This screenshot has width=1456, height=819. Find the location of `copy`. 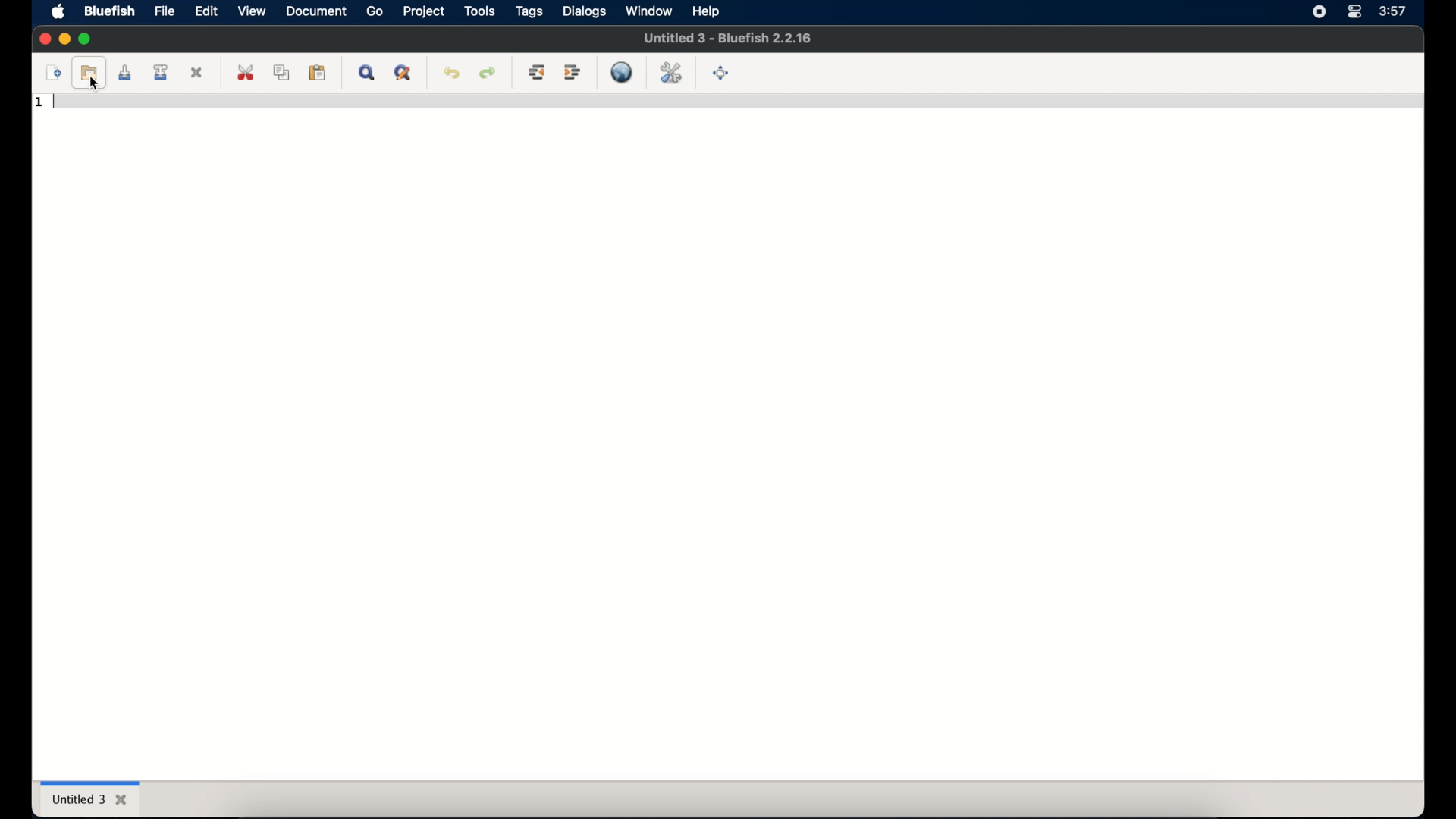

copy is located at coordinates (281, 74).